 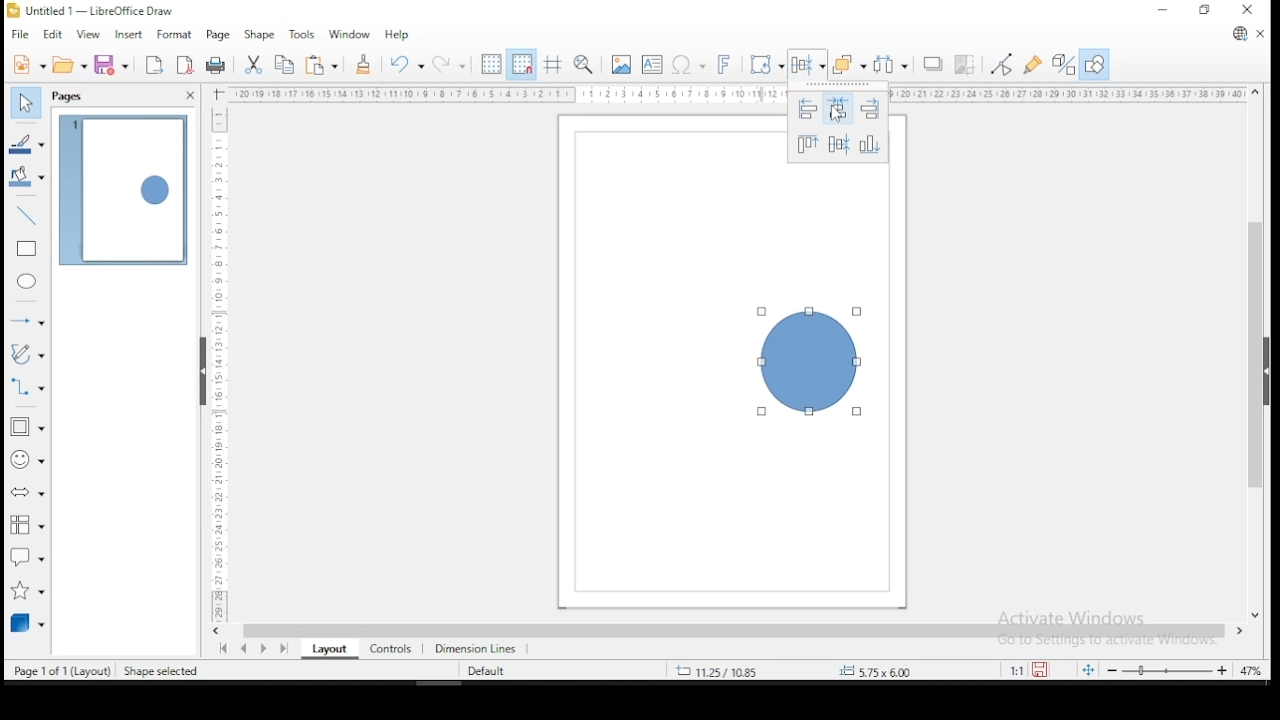 What do you see at coordinates (620, 65) in the screenshot?
I see `insert image` at bounding box center [620, 65].